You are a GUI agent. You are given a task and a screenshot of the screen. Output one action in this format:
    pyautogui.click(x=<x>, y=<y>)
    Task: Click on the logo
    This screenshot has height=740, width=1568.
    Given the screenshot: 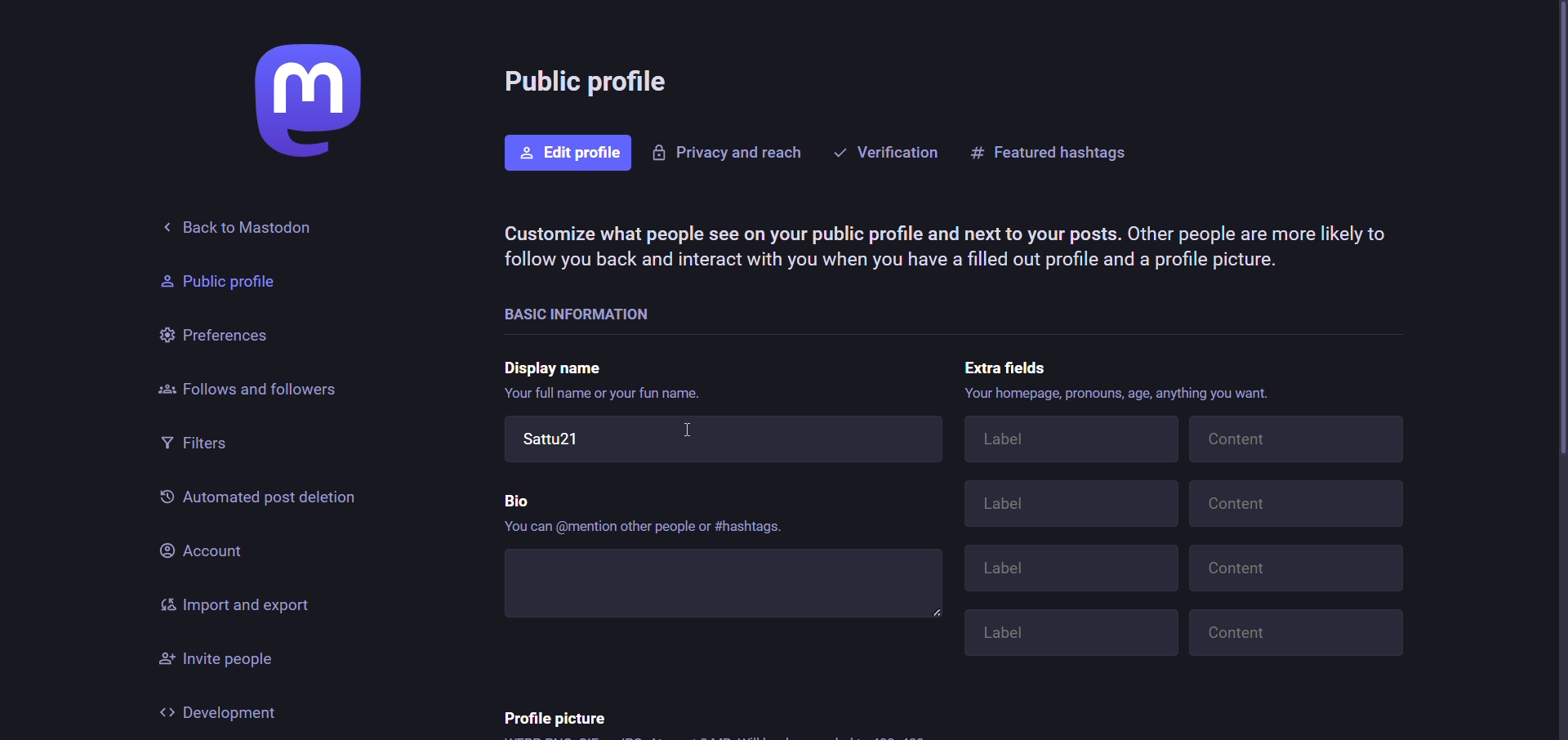 What is the action you would take?
    pyautogui.click(x=303, y=102)
    